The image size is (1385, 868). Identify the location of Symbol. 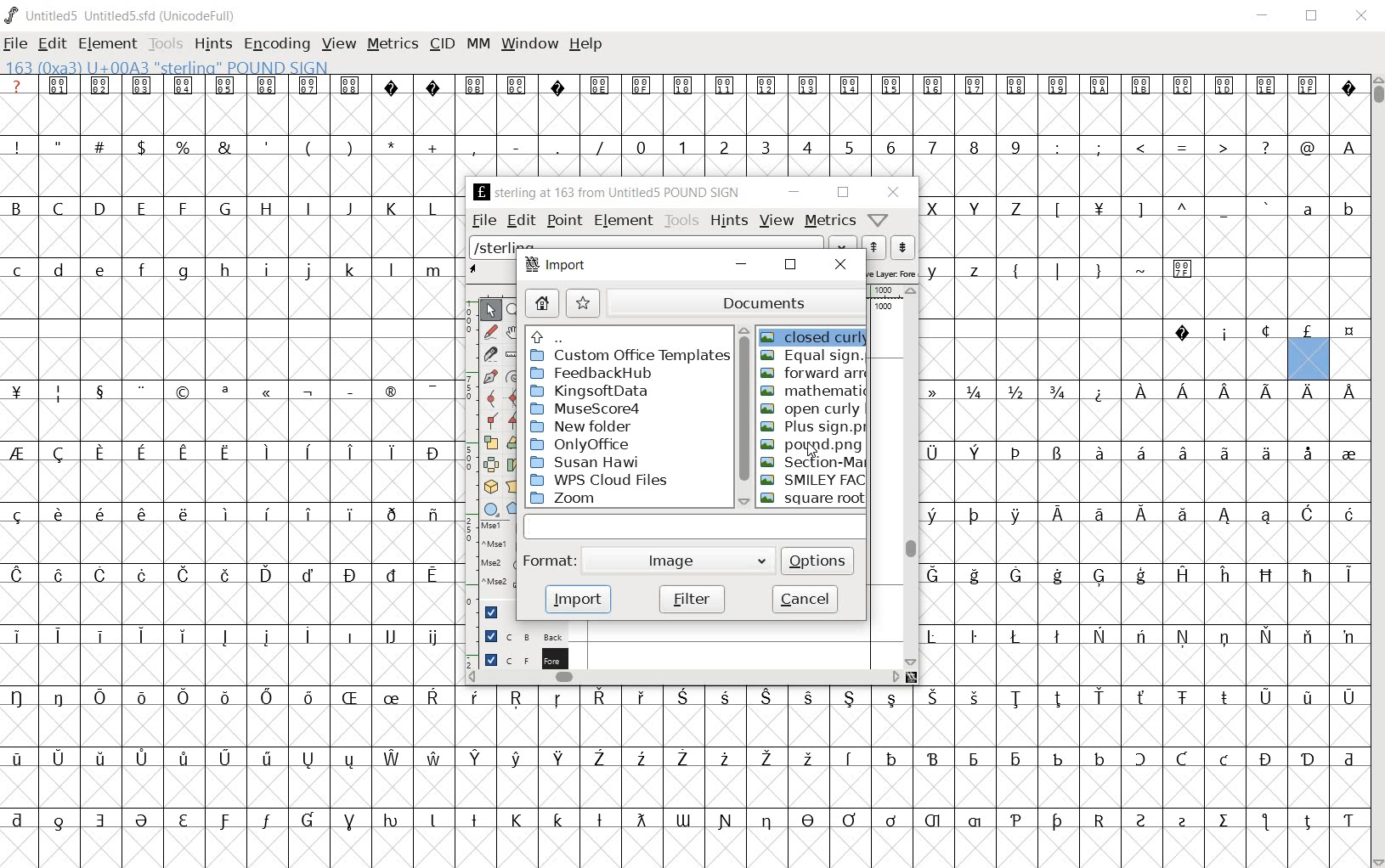
(1016, 454).